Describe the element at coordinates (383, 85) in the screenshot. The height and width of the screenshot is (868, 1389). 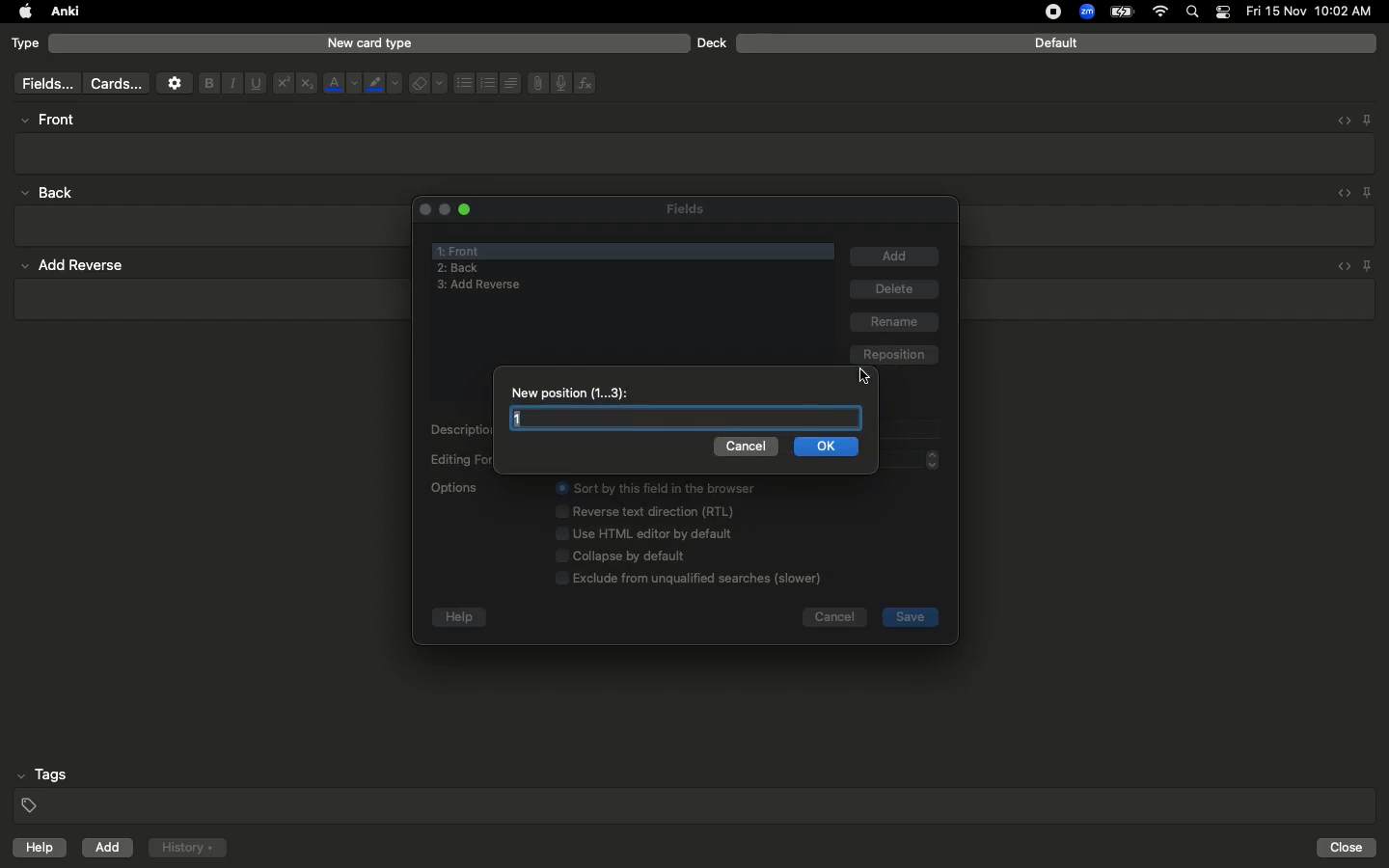
I see `Marker` at that location.